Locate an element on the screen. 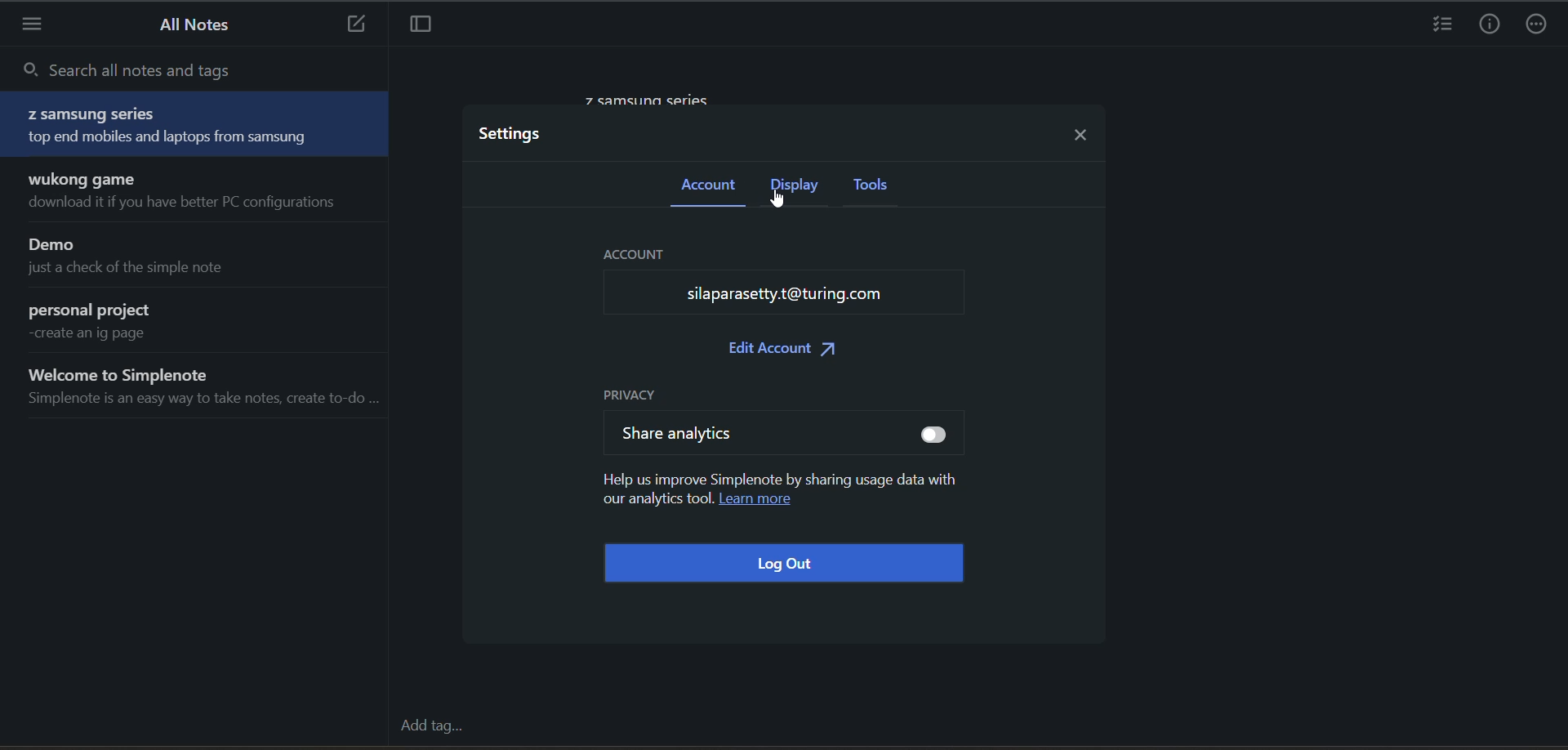 The height and width of the screenshot is (750, 1568). Welcome to Simplenote
Simplenote is an easy way to take notes, create to-do ... is located at coordinates (200, 390).